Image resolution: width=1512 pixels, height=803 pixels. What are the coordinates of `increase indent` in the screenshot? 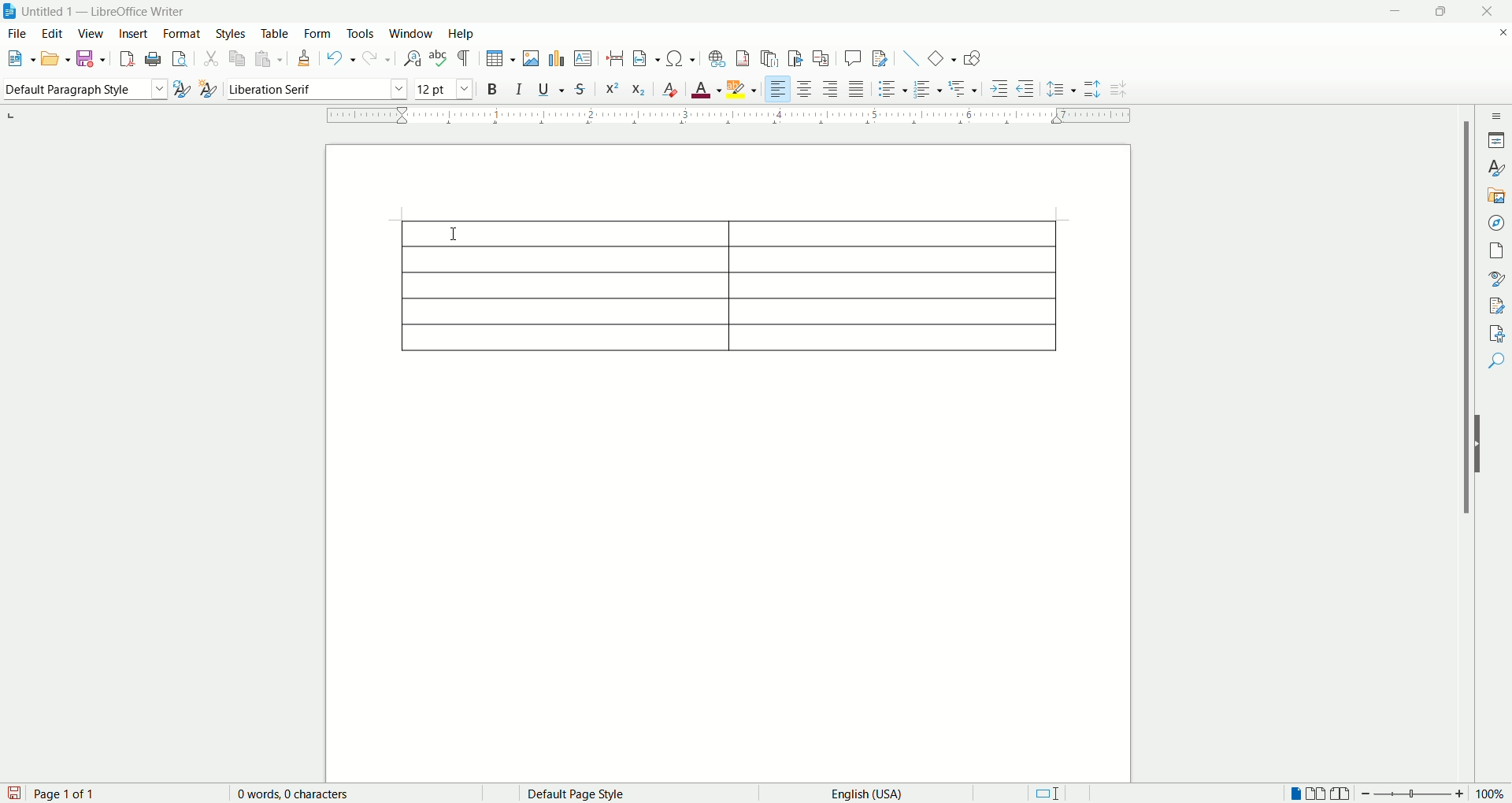 It's located at (1002, 87).